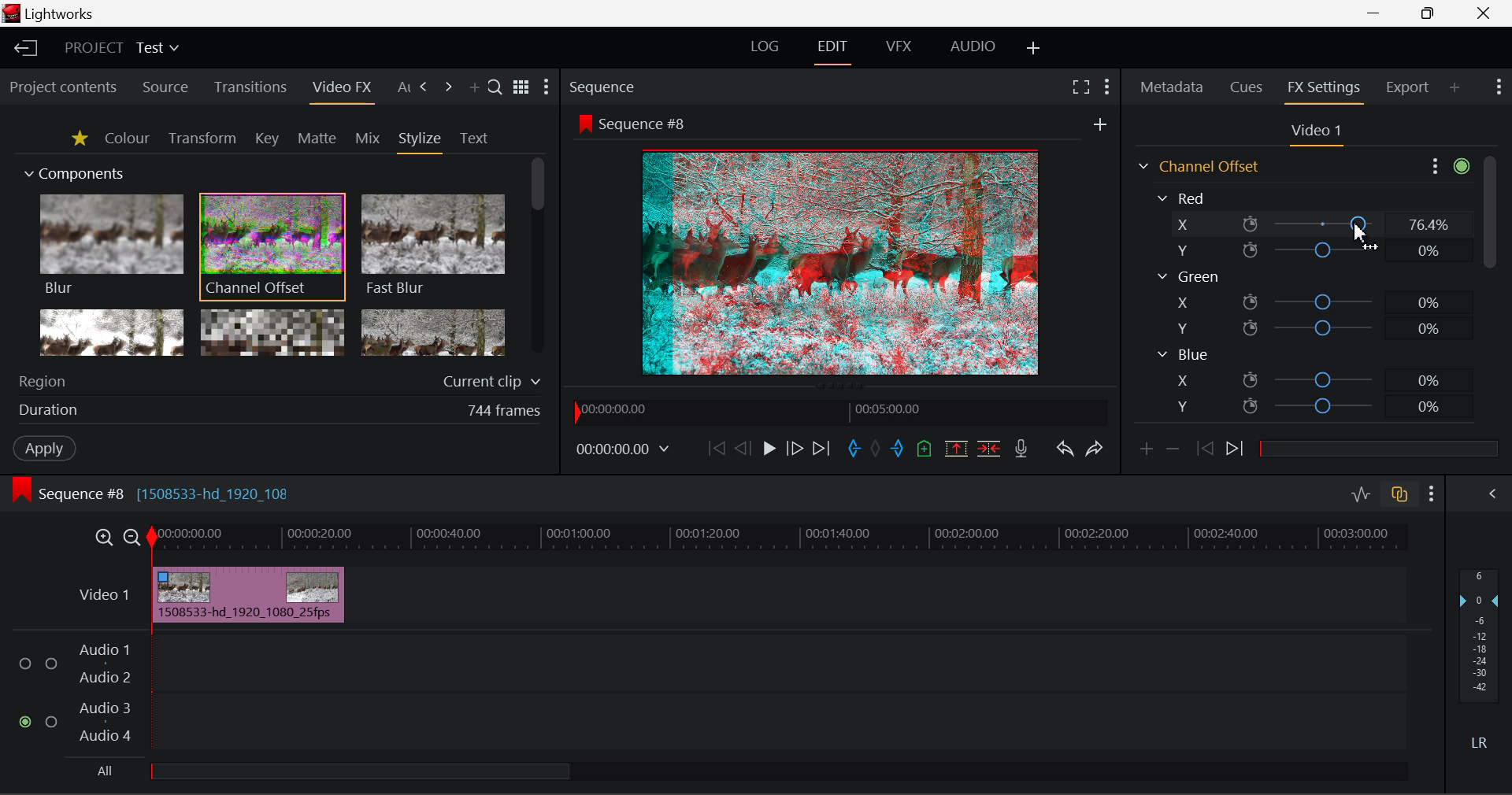 The width and height of the screenshot is (1512, 795). What do you see at coordinates (1237, 451) in the screenshot?
I see `Next keyframe` at bounding box center [1237, 451].